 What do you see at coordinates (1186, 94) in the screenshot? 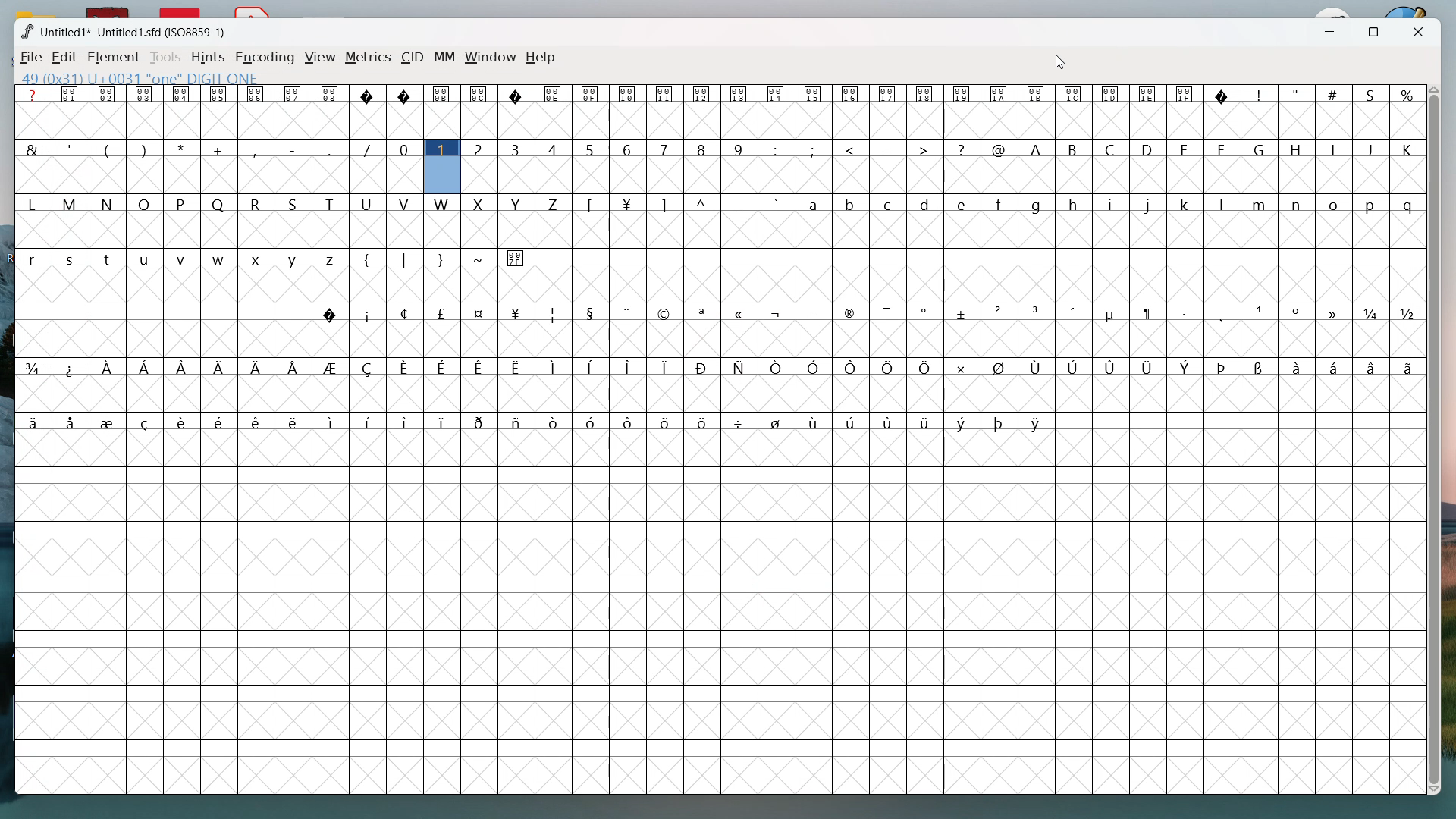
I see `symbol` at bounding box center [1186, 94].